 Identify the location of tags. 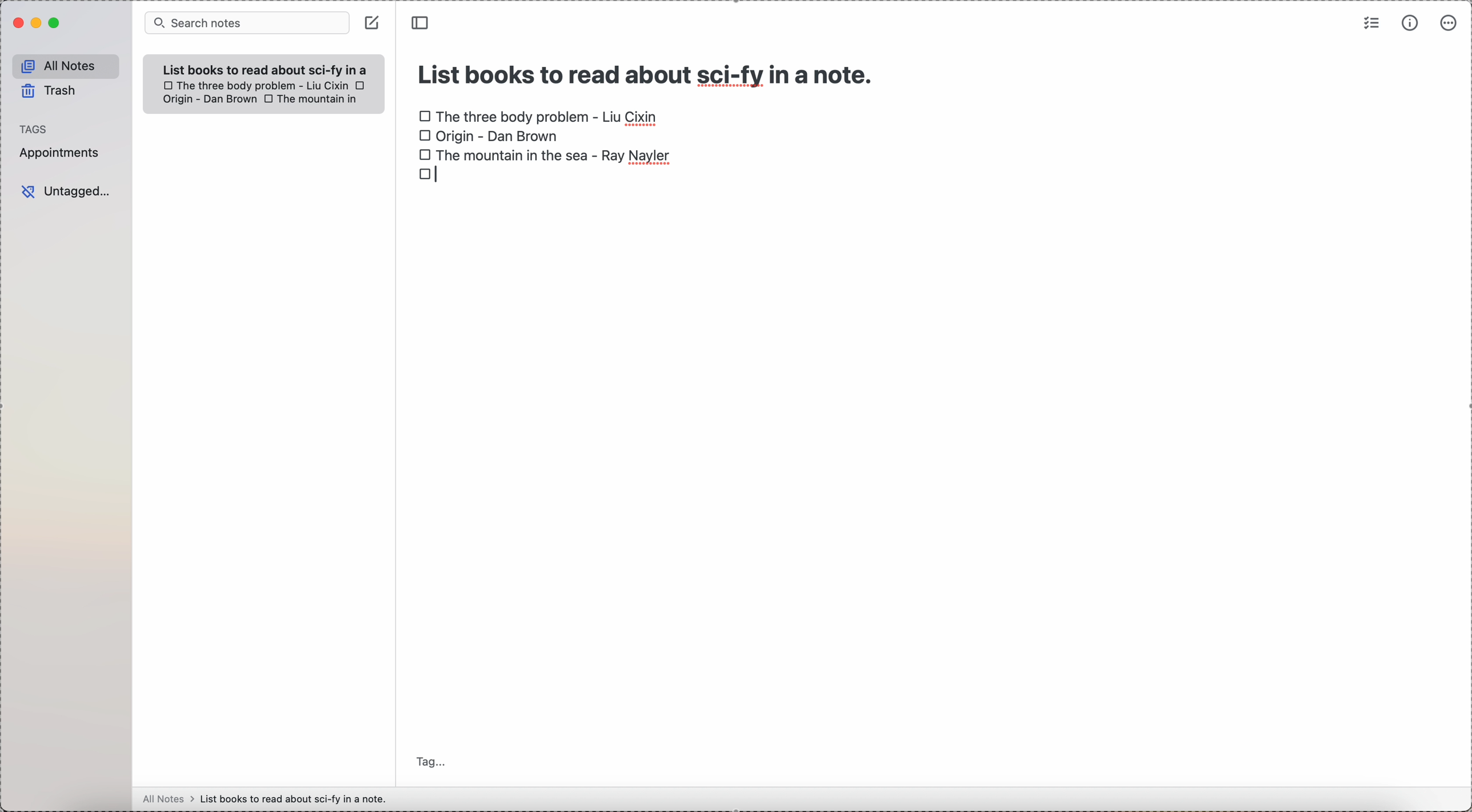
(35, 127).